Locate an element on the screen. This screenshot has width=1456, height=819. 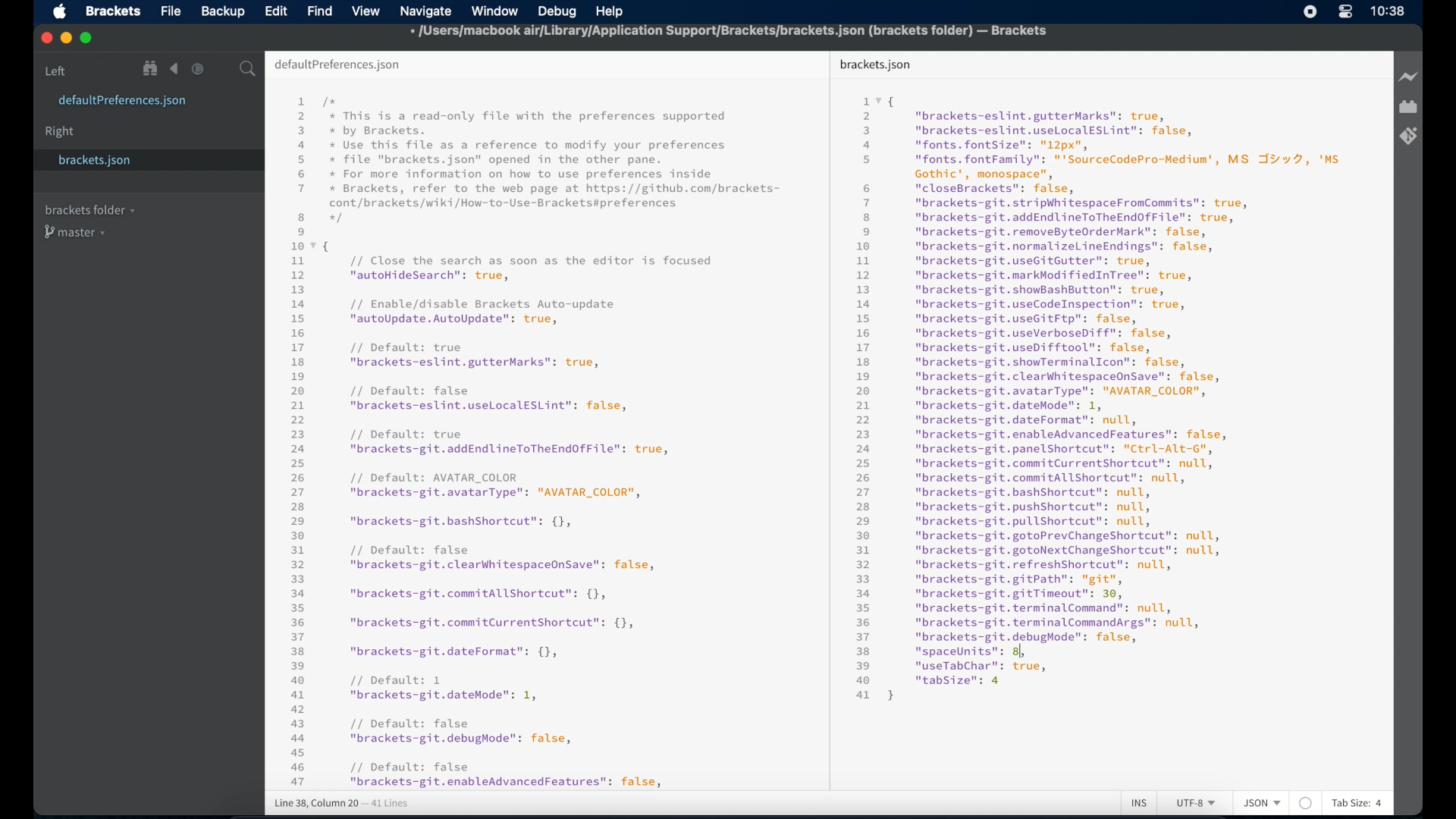
brackets  git extension is located at coordinates (1408, 136).